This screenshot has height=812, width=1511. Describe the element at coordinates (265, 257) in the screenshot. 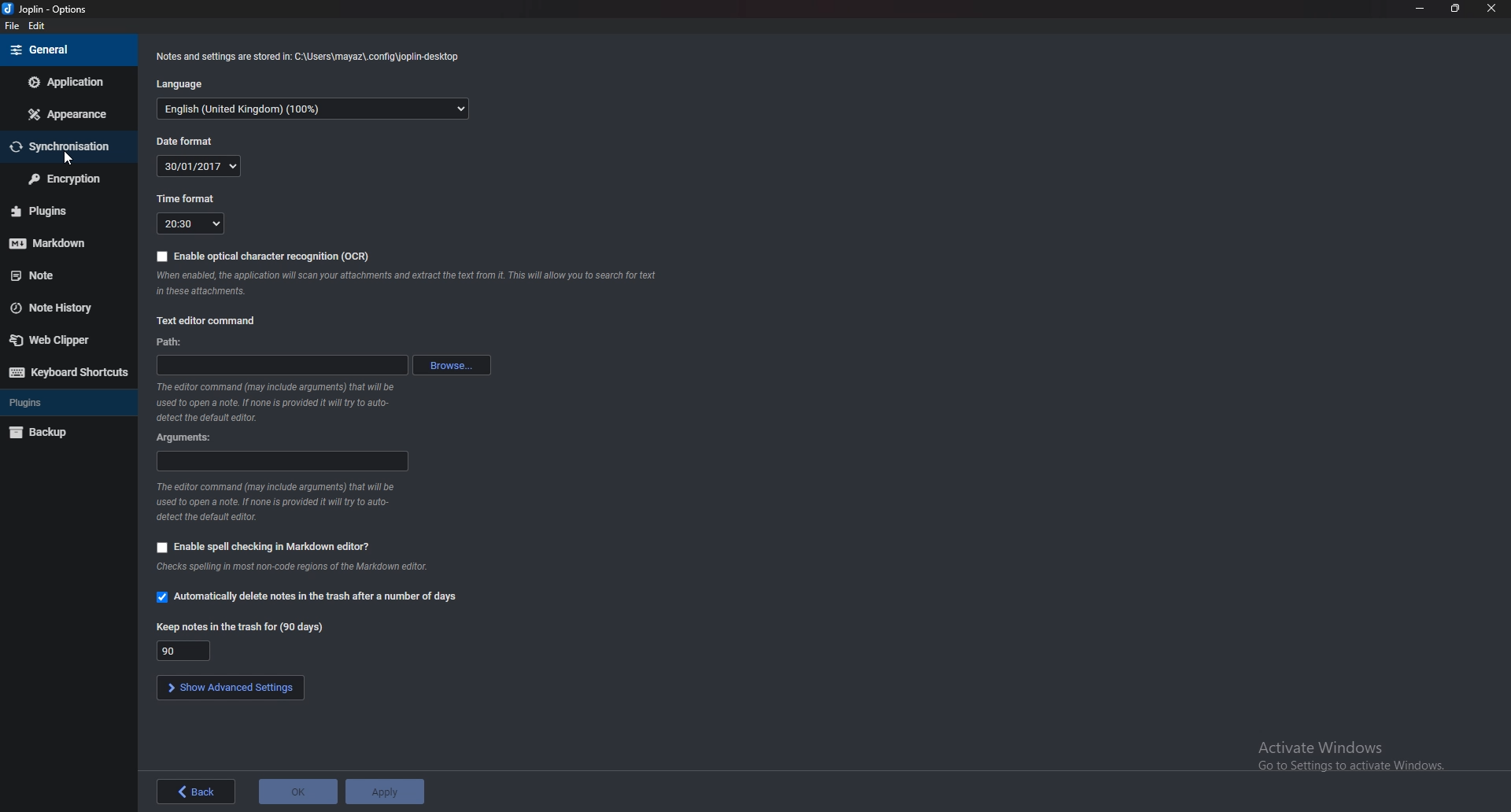

I see `enable ocr` at that location.